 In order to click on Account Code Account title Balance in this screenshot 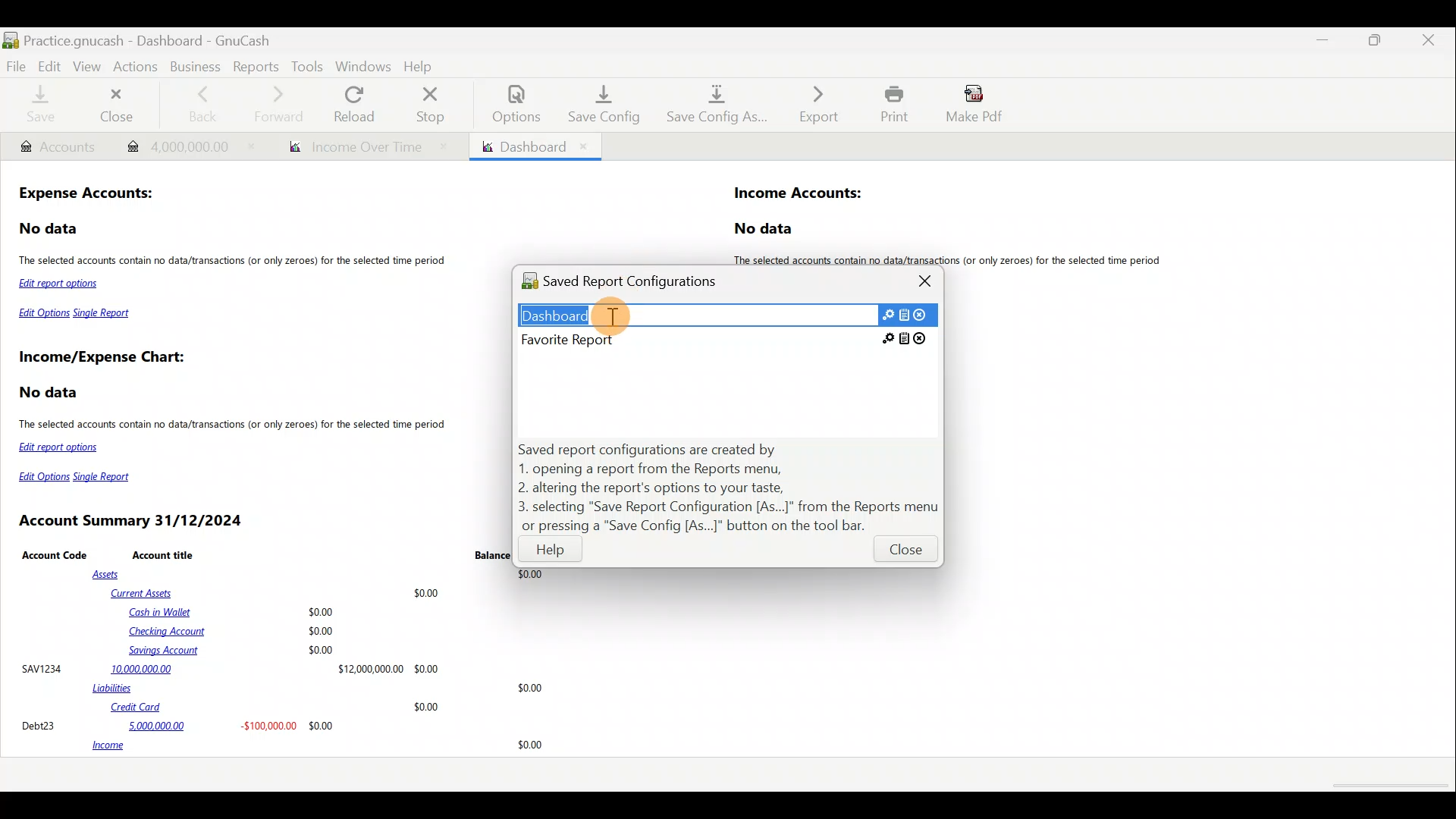, I will do `click(266, 554)`.